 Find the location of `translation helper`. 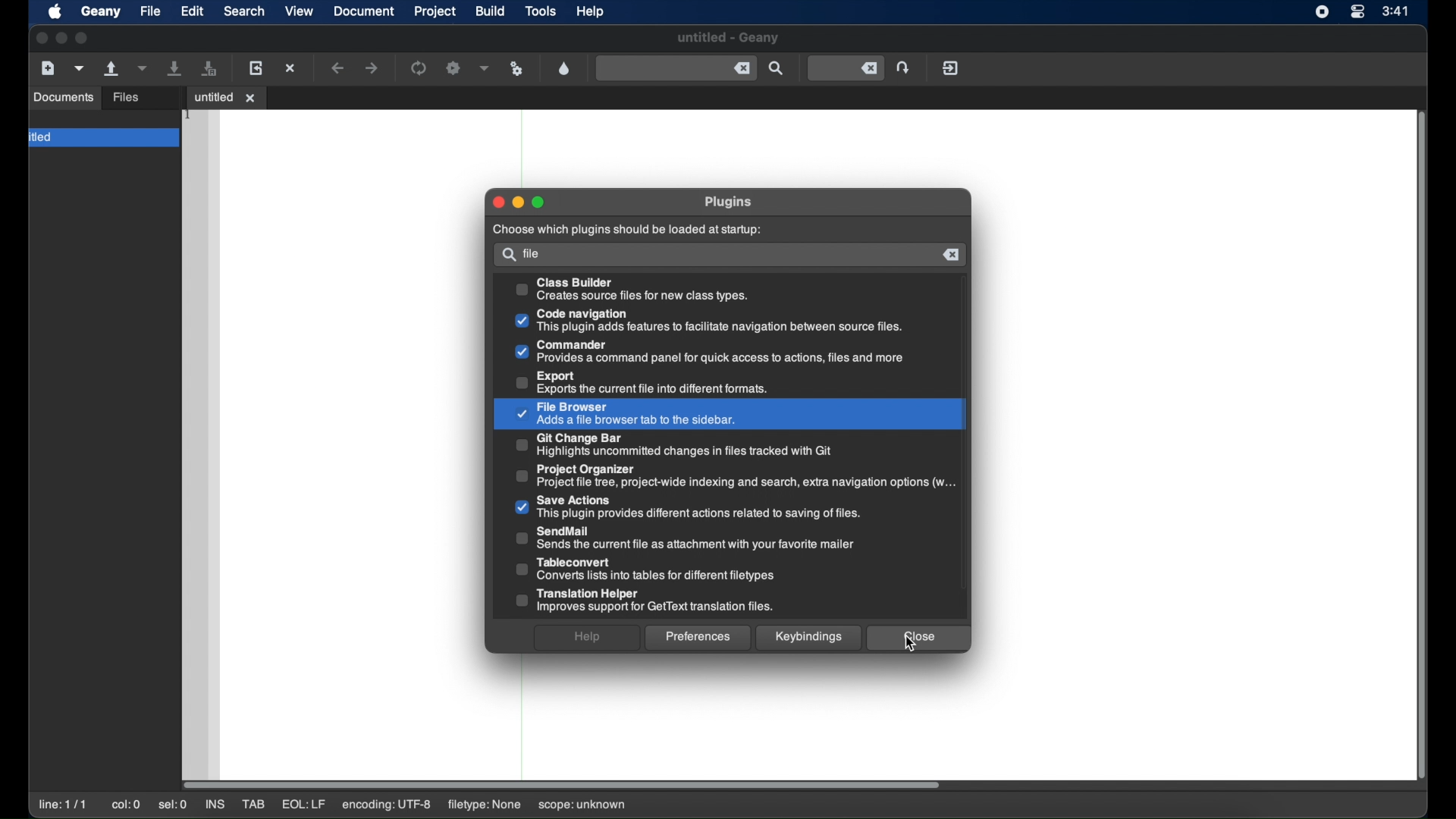

translation helper is located at coordinates (644, 601).